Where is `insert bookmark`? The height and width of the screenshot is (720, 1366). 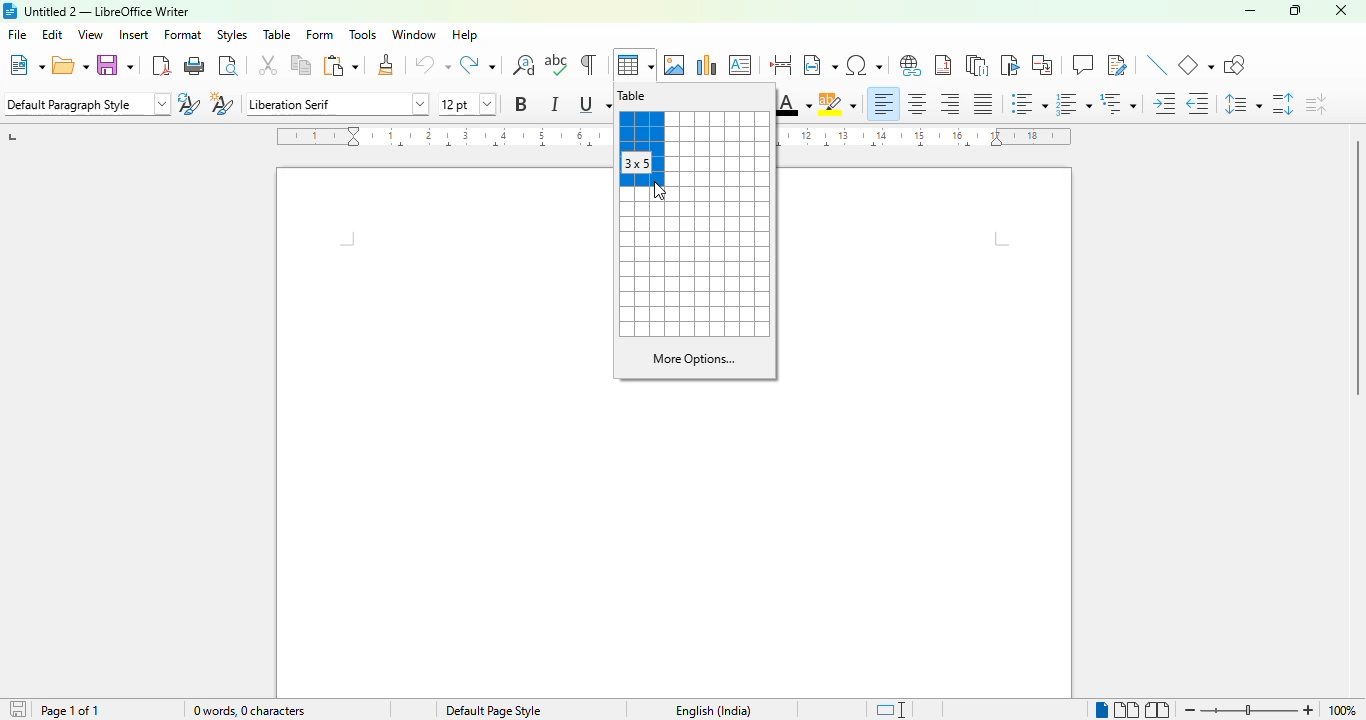
insert bookmark is located at coordinates (1010, 65).